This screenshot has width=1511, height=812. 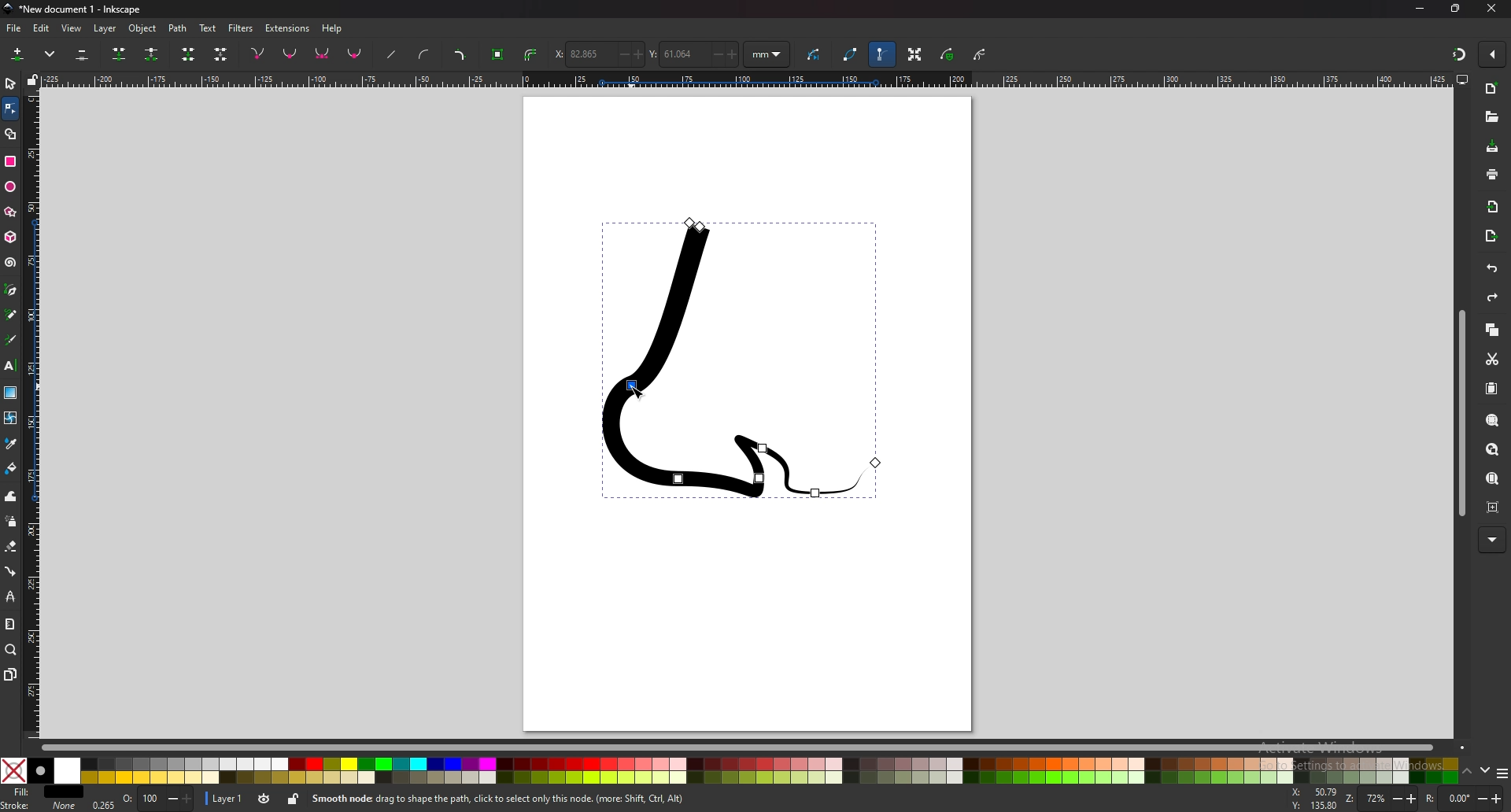 What do you see at coordinates (10, 418) in the screenshot?
I see `mesh` at bounding box center [10, 418].